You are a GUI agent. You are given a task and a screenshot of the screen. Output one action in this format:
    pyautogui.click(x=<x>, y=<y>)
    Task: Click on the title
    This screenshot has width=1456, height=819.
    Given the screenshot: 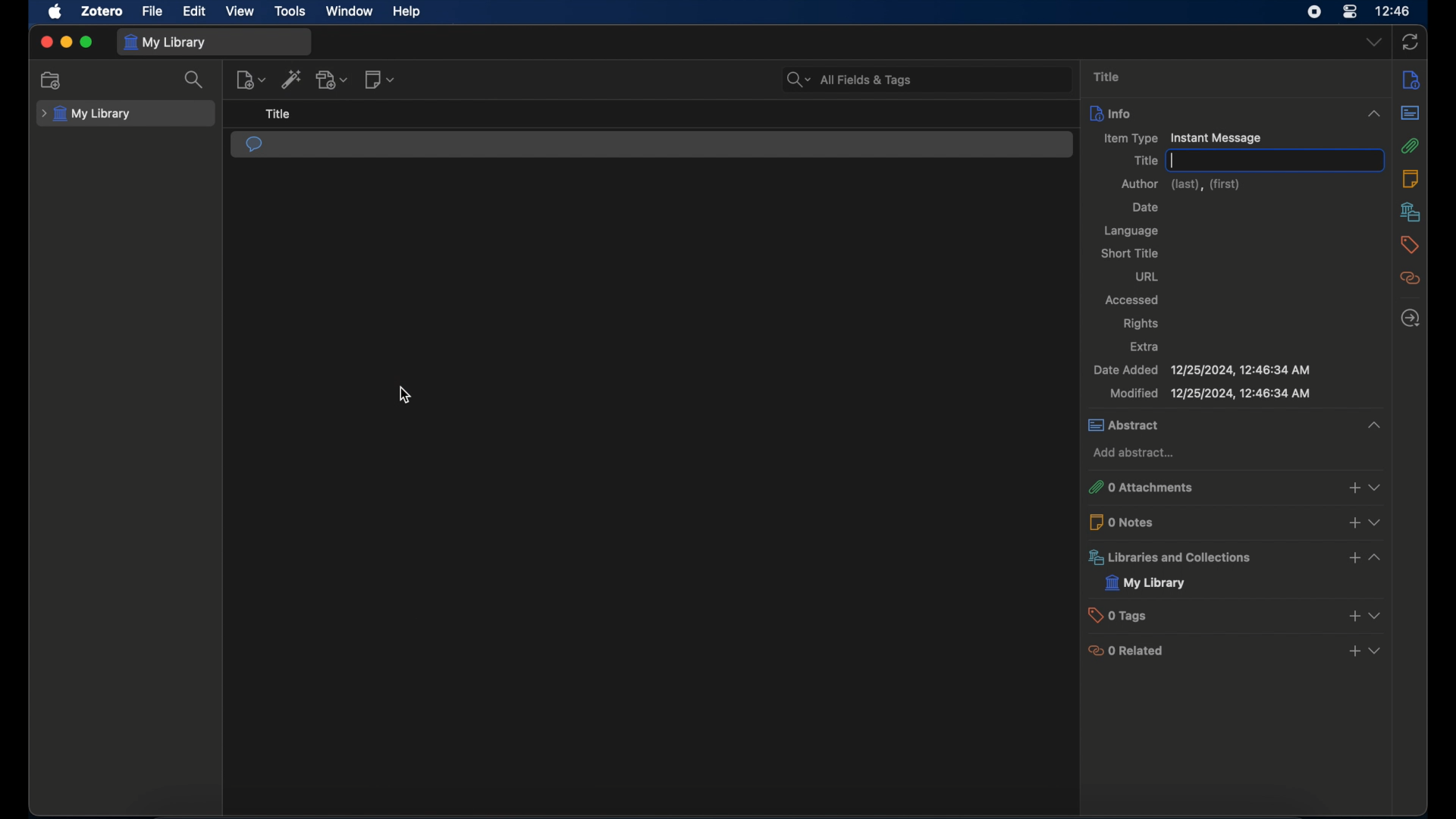 What is the action you would take?
    pyautogui.click(x=1106, y=76)
    